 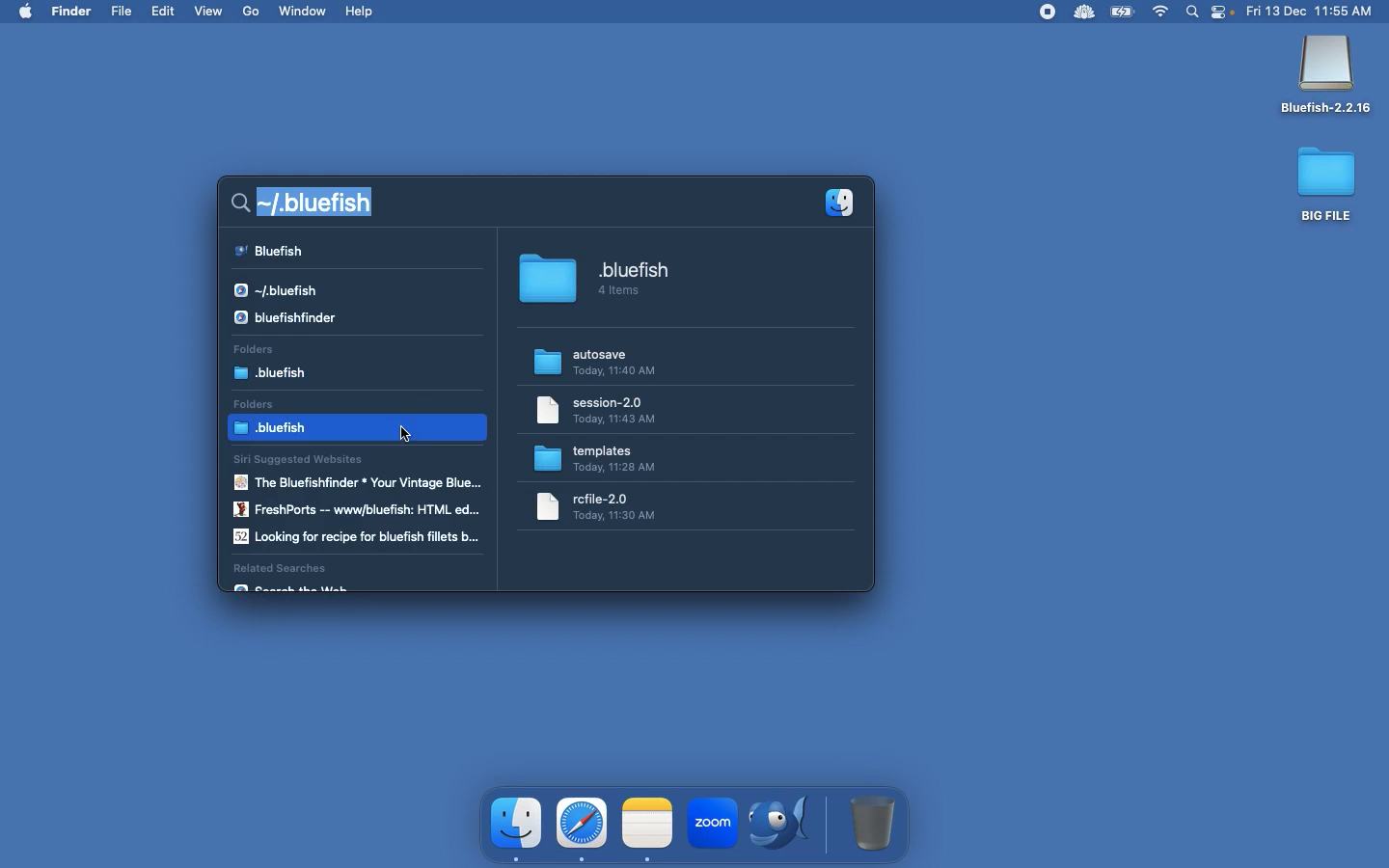 What do you see at coordinates (402, 430) in the screenshot?
I see `cursor` at bounding box center [402, 430].